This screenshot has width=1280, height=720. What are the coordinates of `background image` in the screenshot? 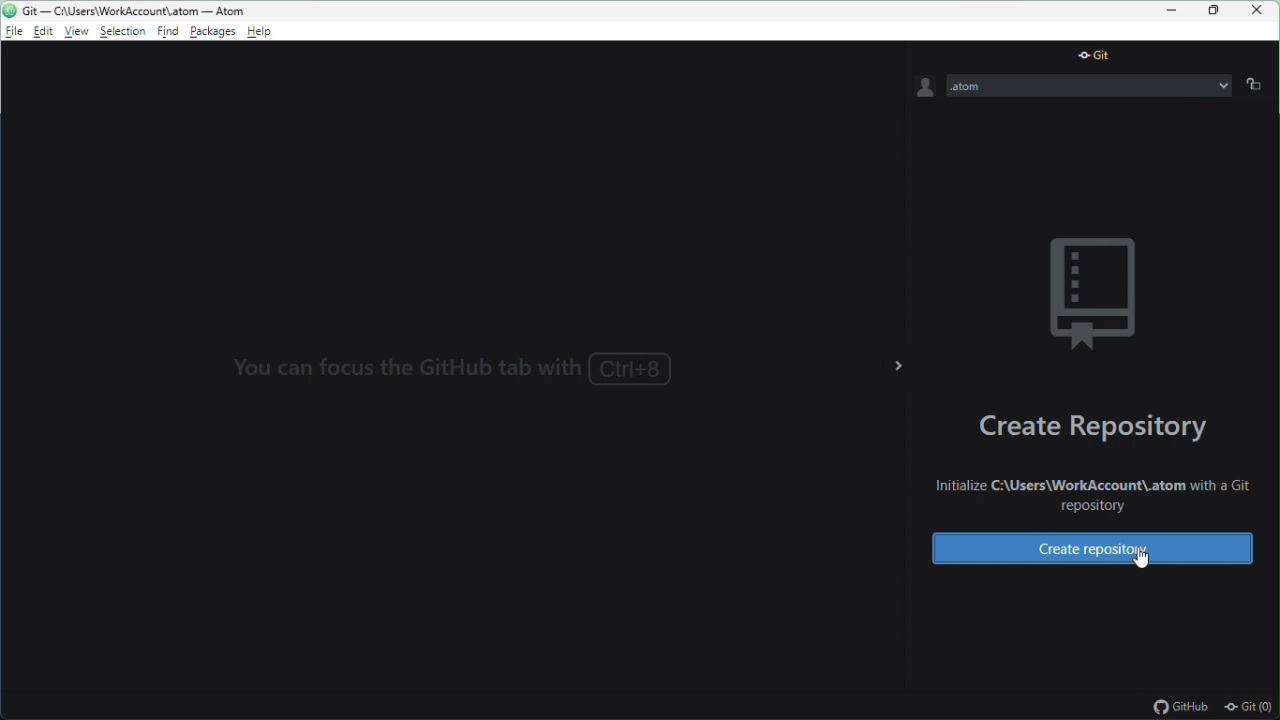 It's located at (1100, 292).